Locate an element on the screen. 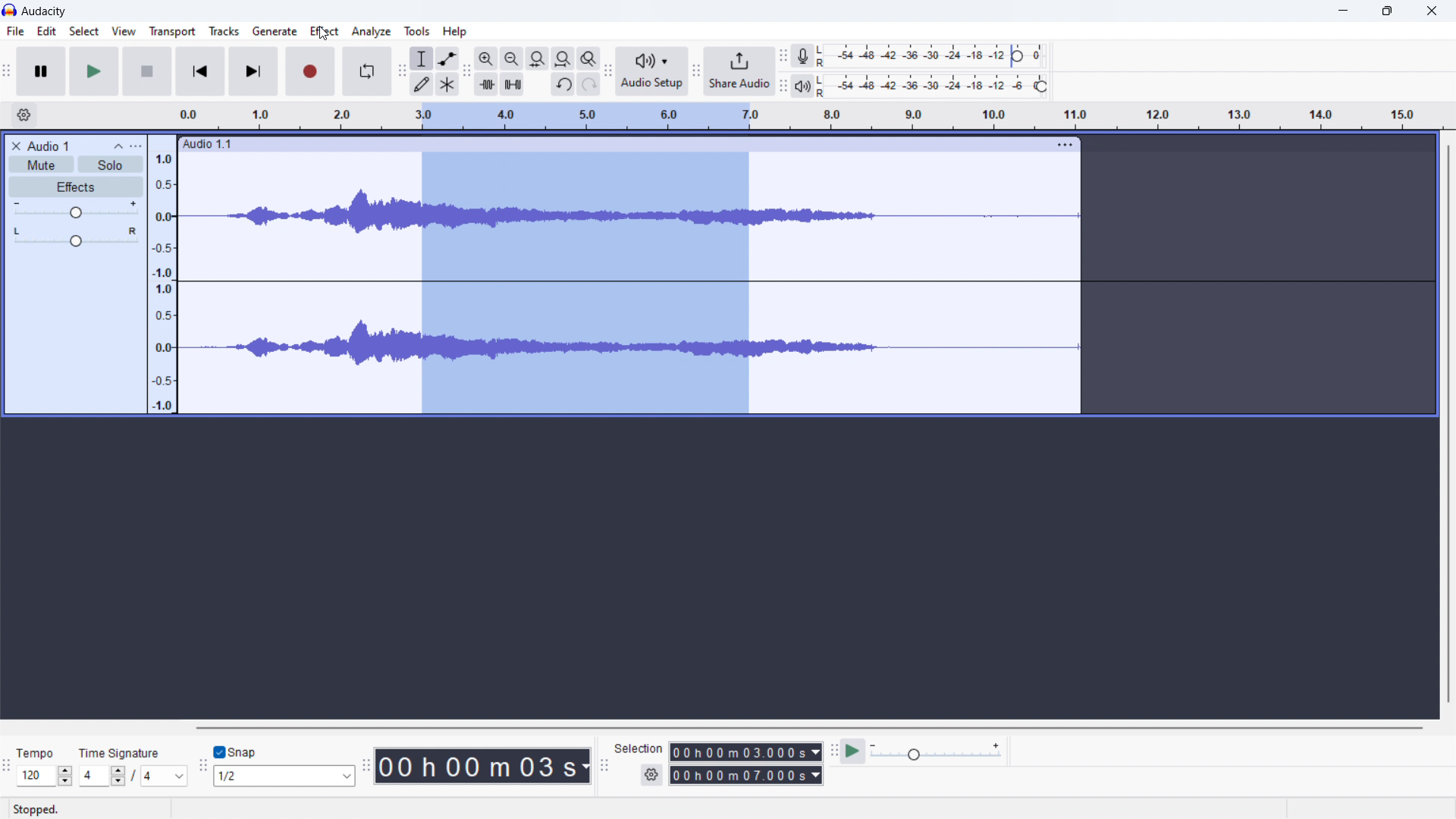 Image resolution: width=1456 pixels, height=819 pixels. recording meter is located at coordinates (803, 56).